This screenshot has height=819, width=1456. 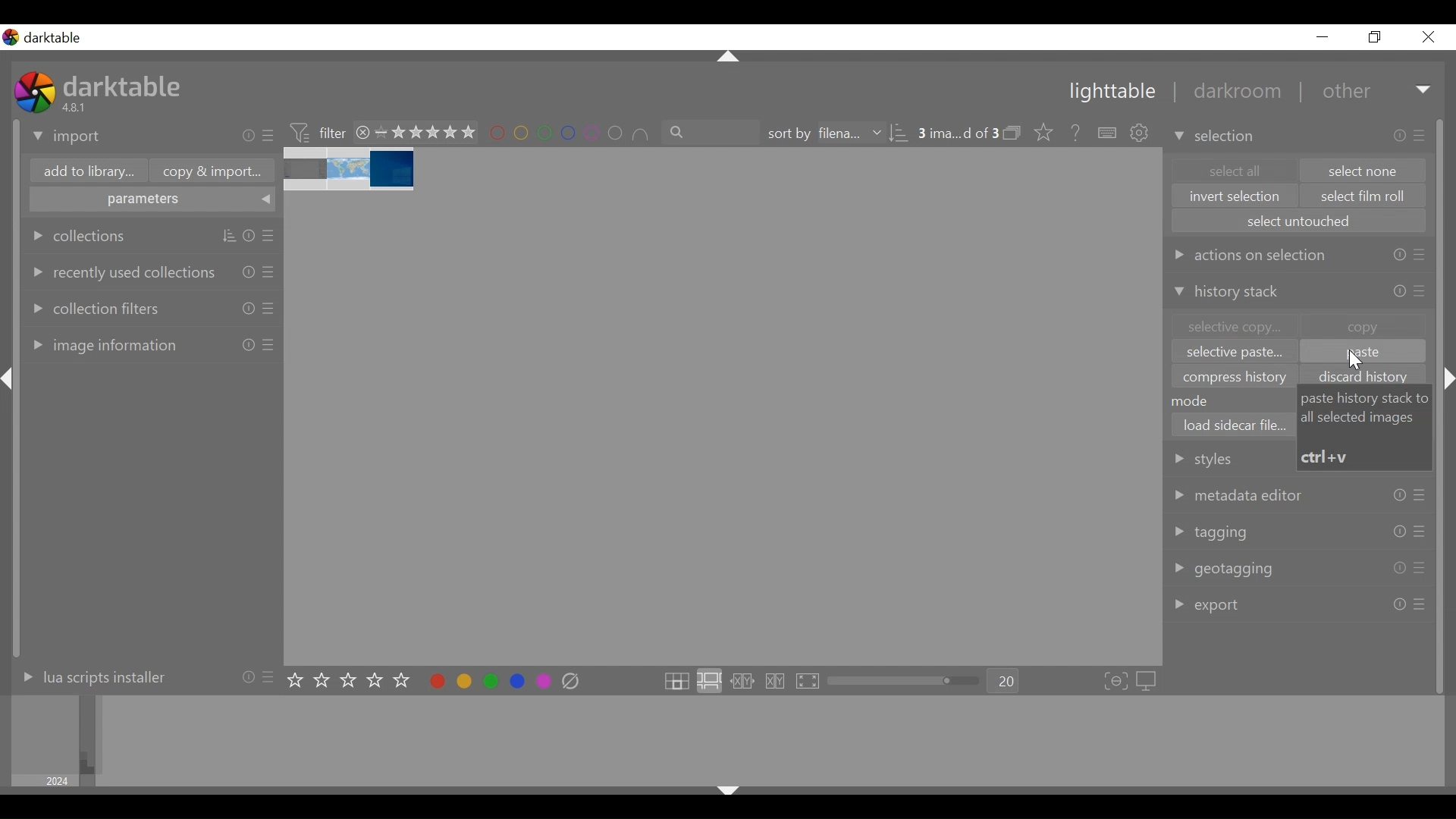 I want to click on image information, so click(x=102, y=344).